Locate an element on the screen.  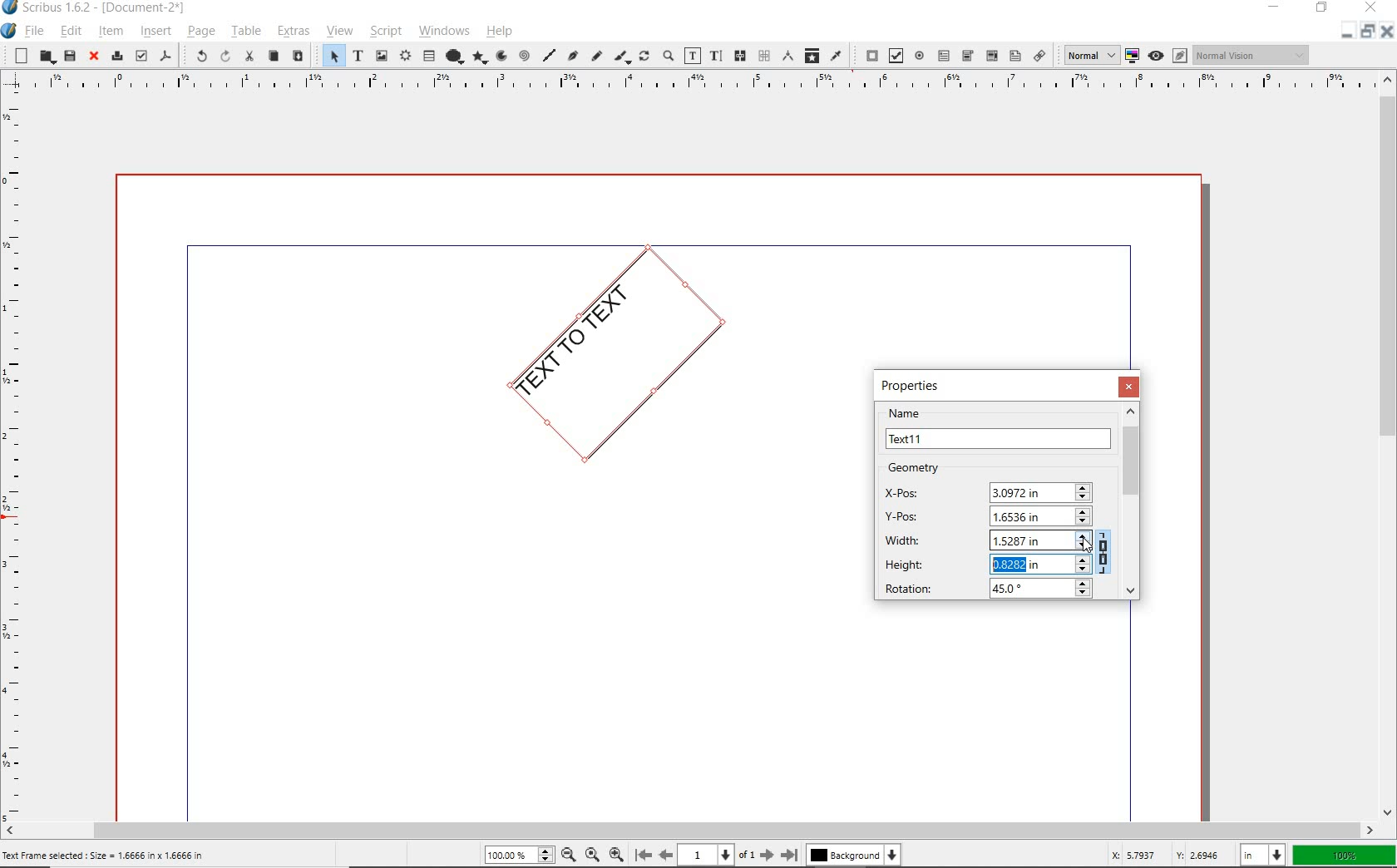
arc is located at coordinates (501, 57).